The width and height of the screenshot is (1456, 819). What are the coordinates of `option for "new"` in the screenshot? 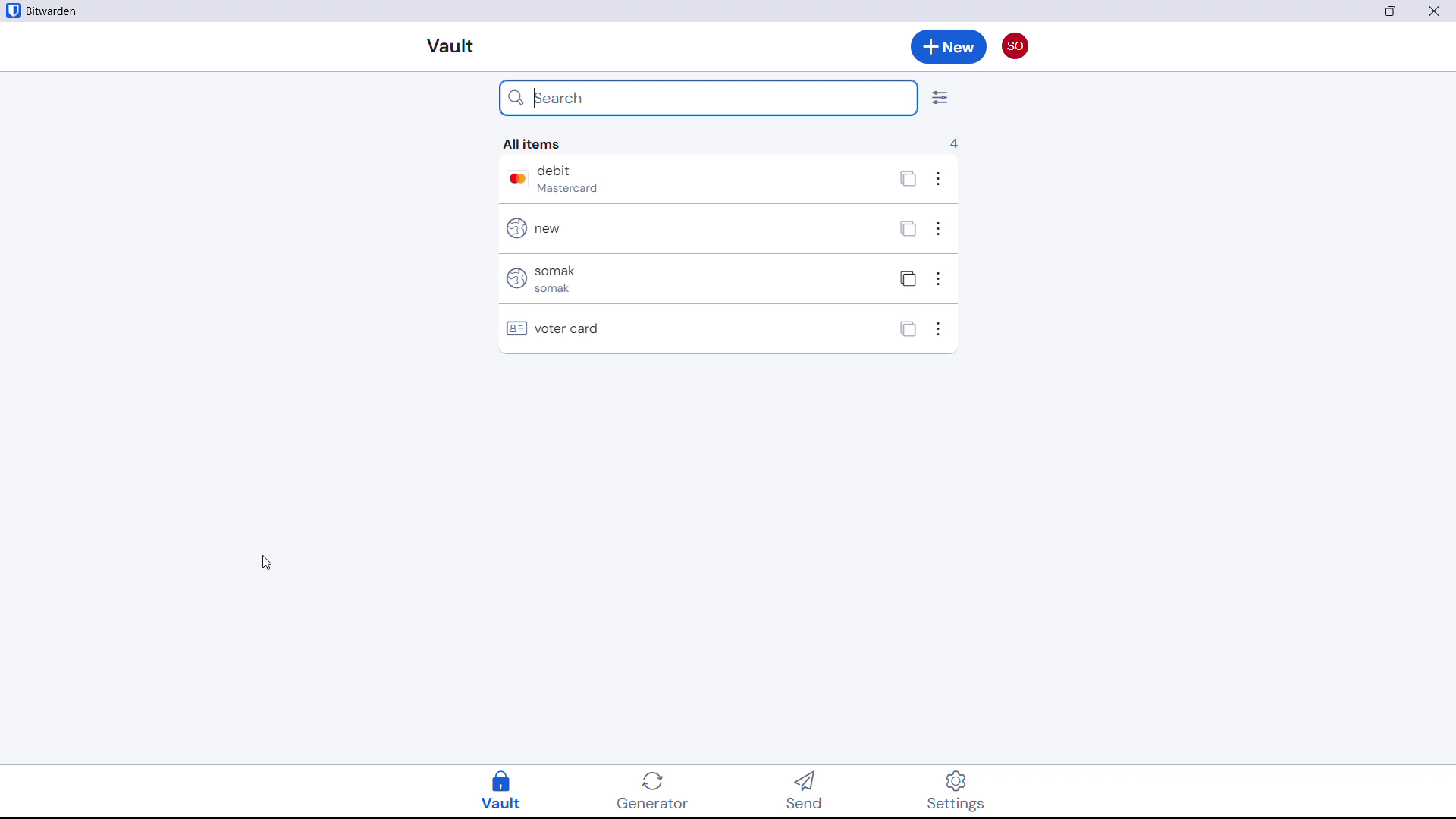 It's located at (940, 231).